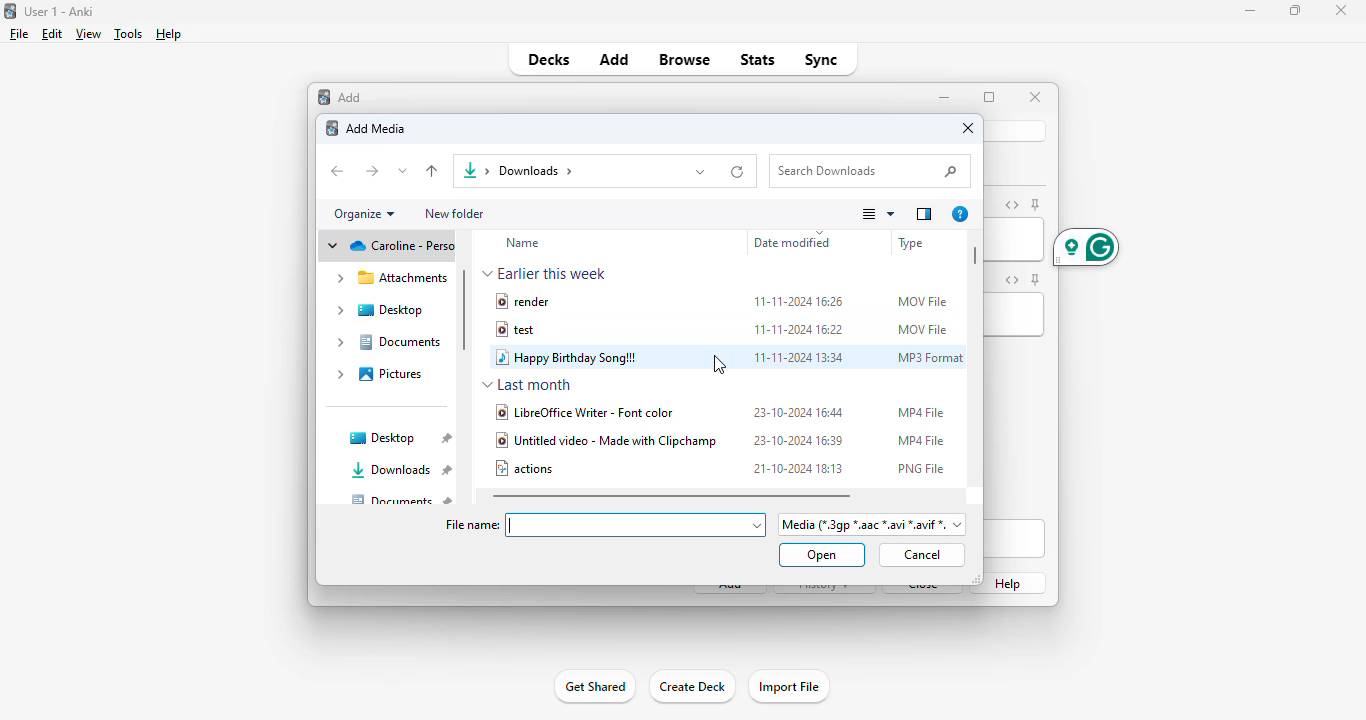 This screenshot has width=1366, height=720. I want to click on up to "desktop", so click(432, 172).